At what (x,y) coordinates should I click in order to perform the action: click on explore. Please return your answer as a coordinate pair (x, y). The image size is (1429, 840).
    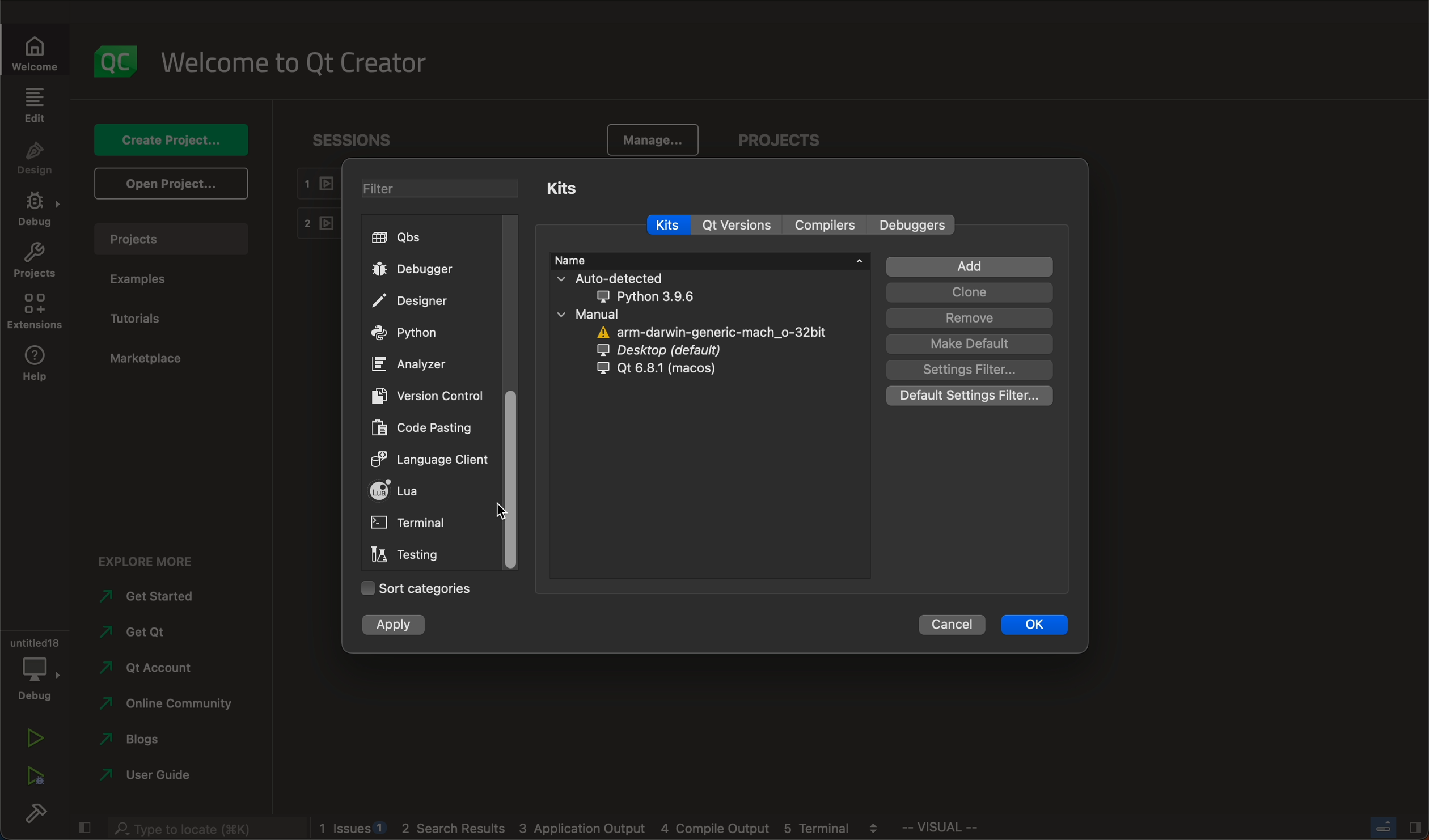
    Looking at the image, I should click on (146, 557).